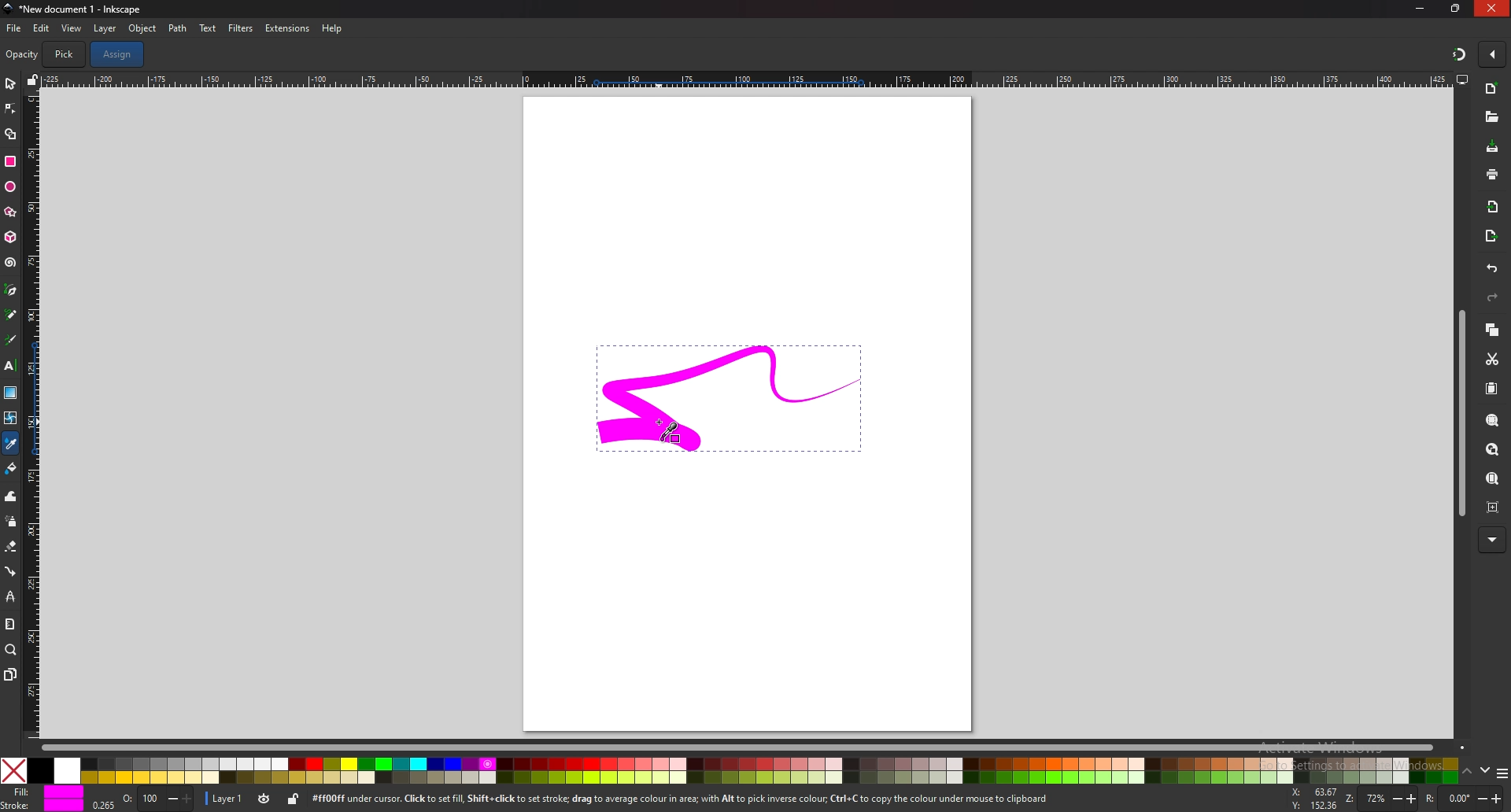 The height and width of the screenshot is (812, 1511). What do you see at coordinates (1380, 799) in the screenshot?
I see `zoom` at bounding box center [1380, 799].